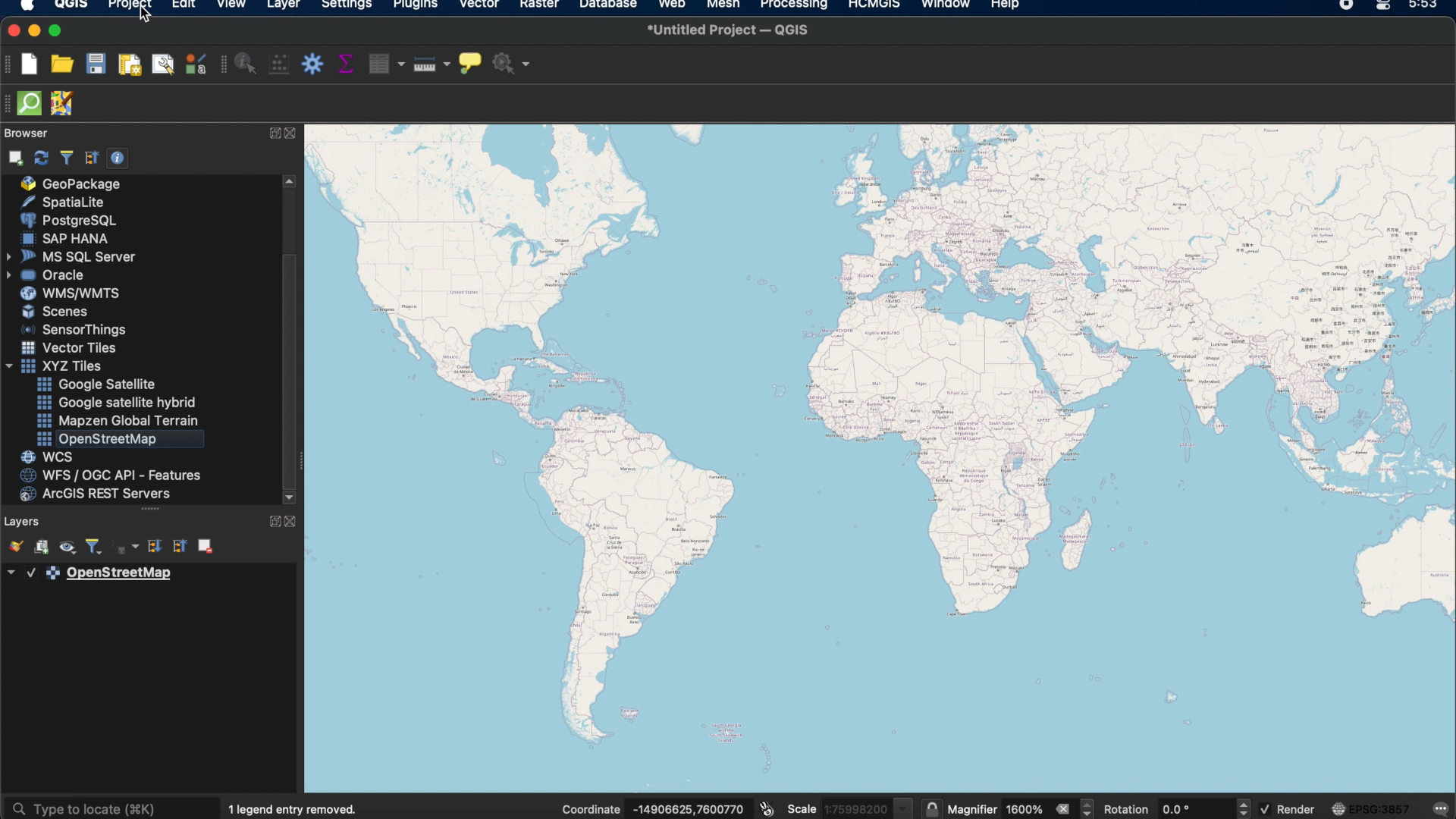  I want to click on was/wmts, so click(69, 294).